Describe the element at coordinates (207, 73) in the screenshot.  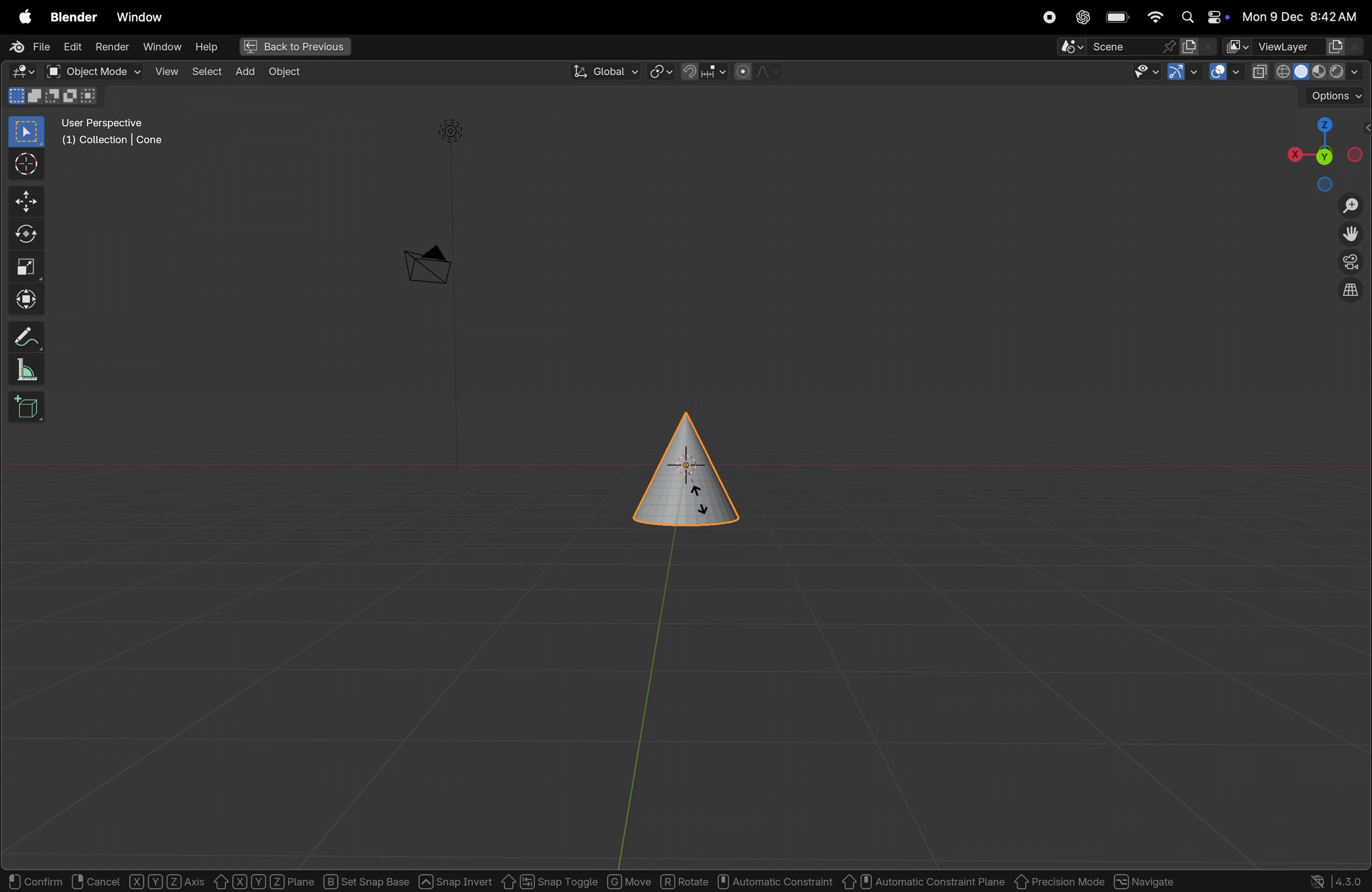
I see `select` at that location.